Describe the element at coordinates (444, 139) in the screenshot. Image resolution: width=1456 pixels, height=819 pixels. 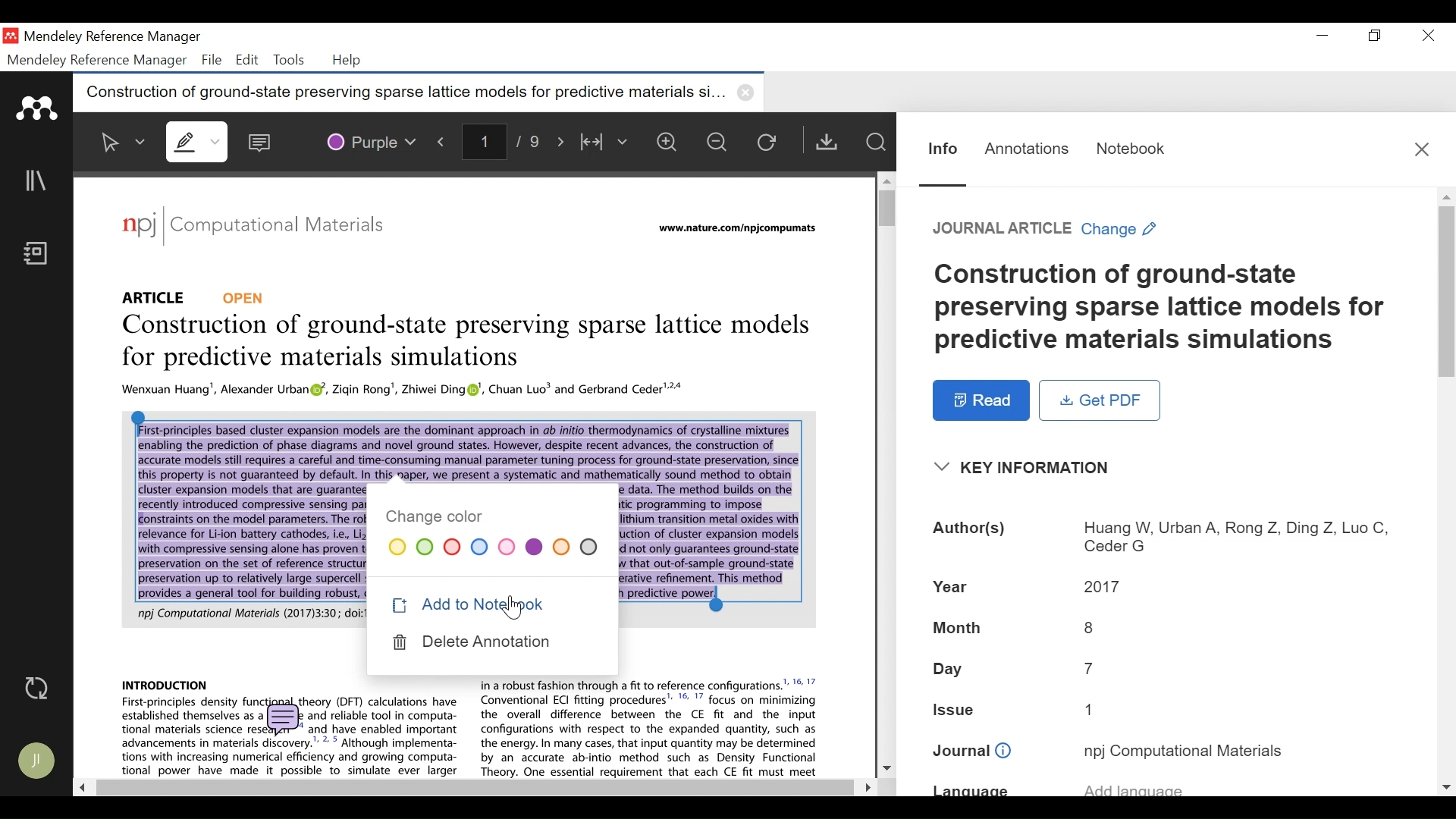
I see `Previous Page` at that location.